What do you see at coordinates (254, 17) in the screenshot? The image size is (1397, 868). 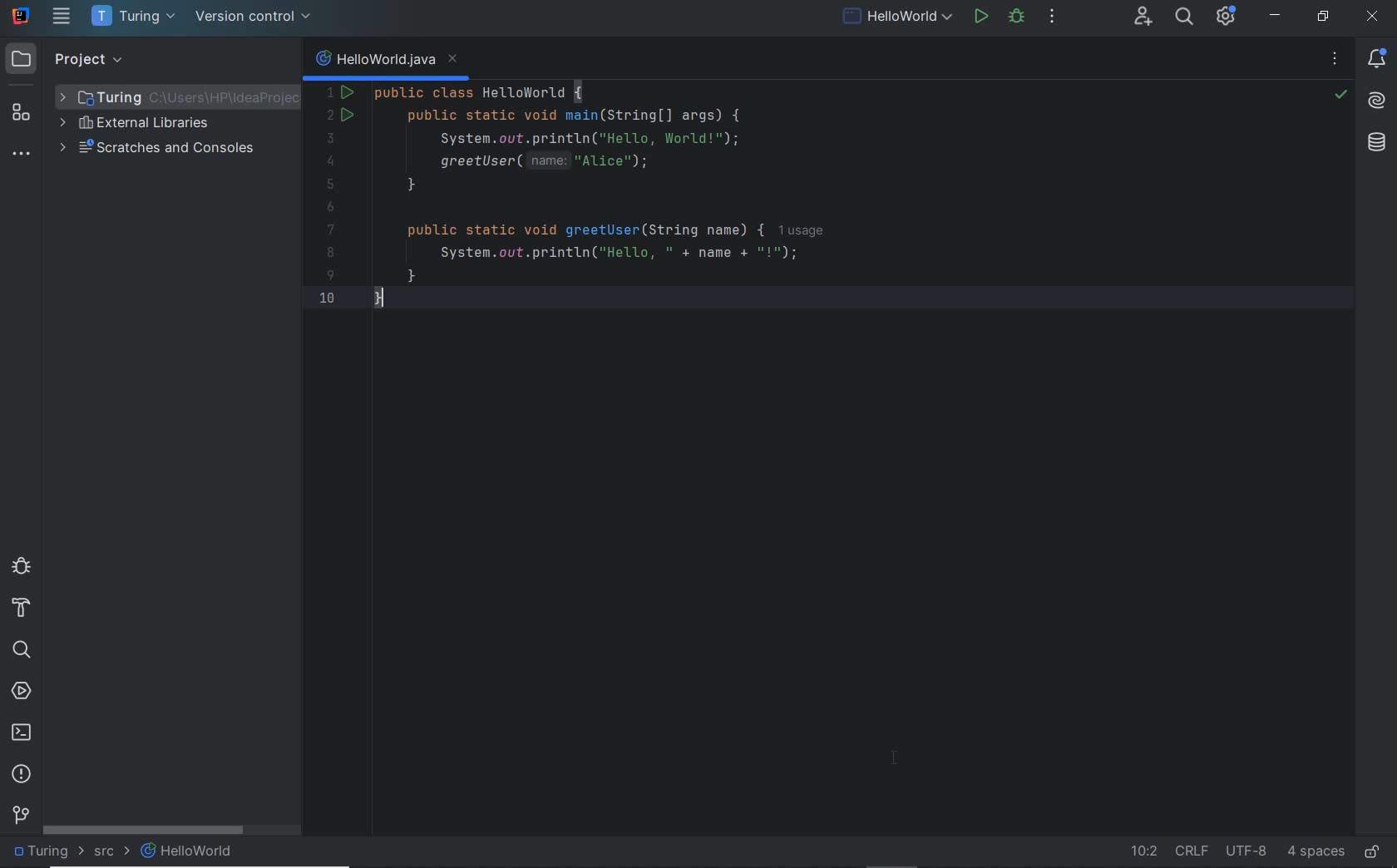 I see `version control` at bounding box center [254, 17].